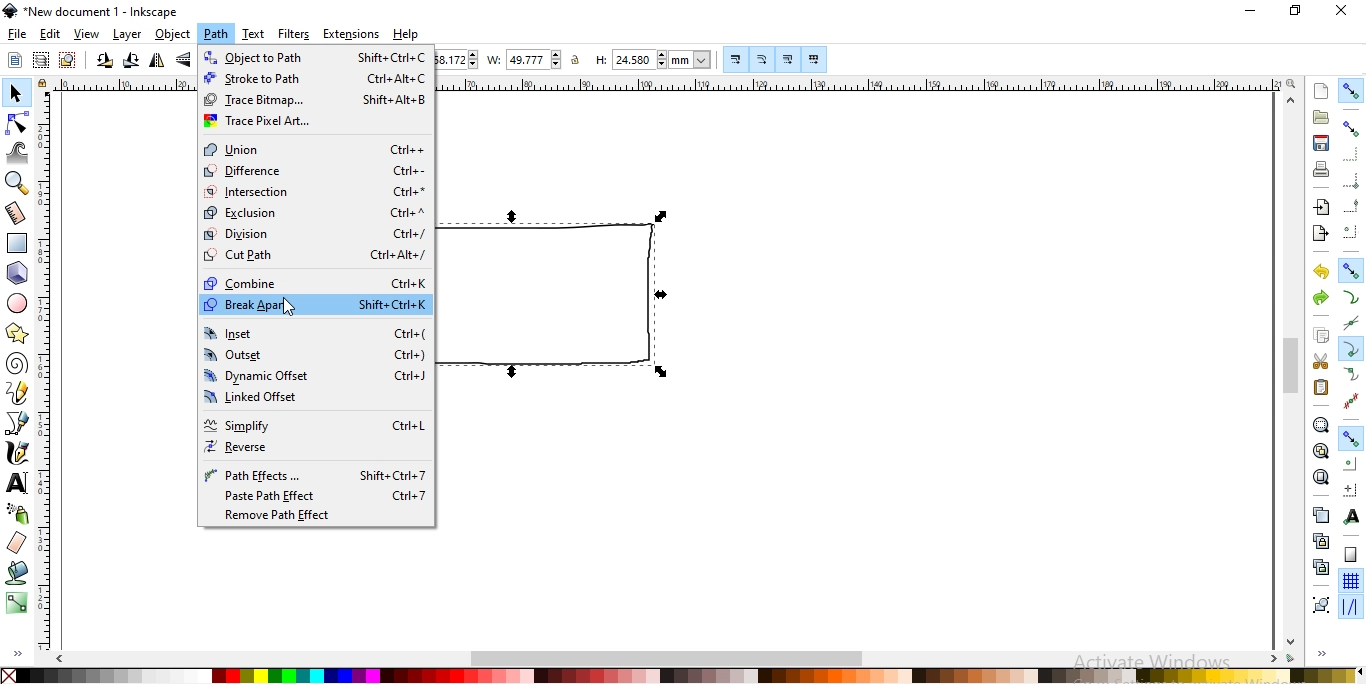  Describe the element at coordinates (311, 399) in the screenshot. I see `linked offset` at that location.